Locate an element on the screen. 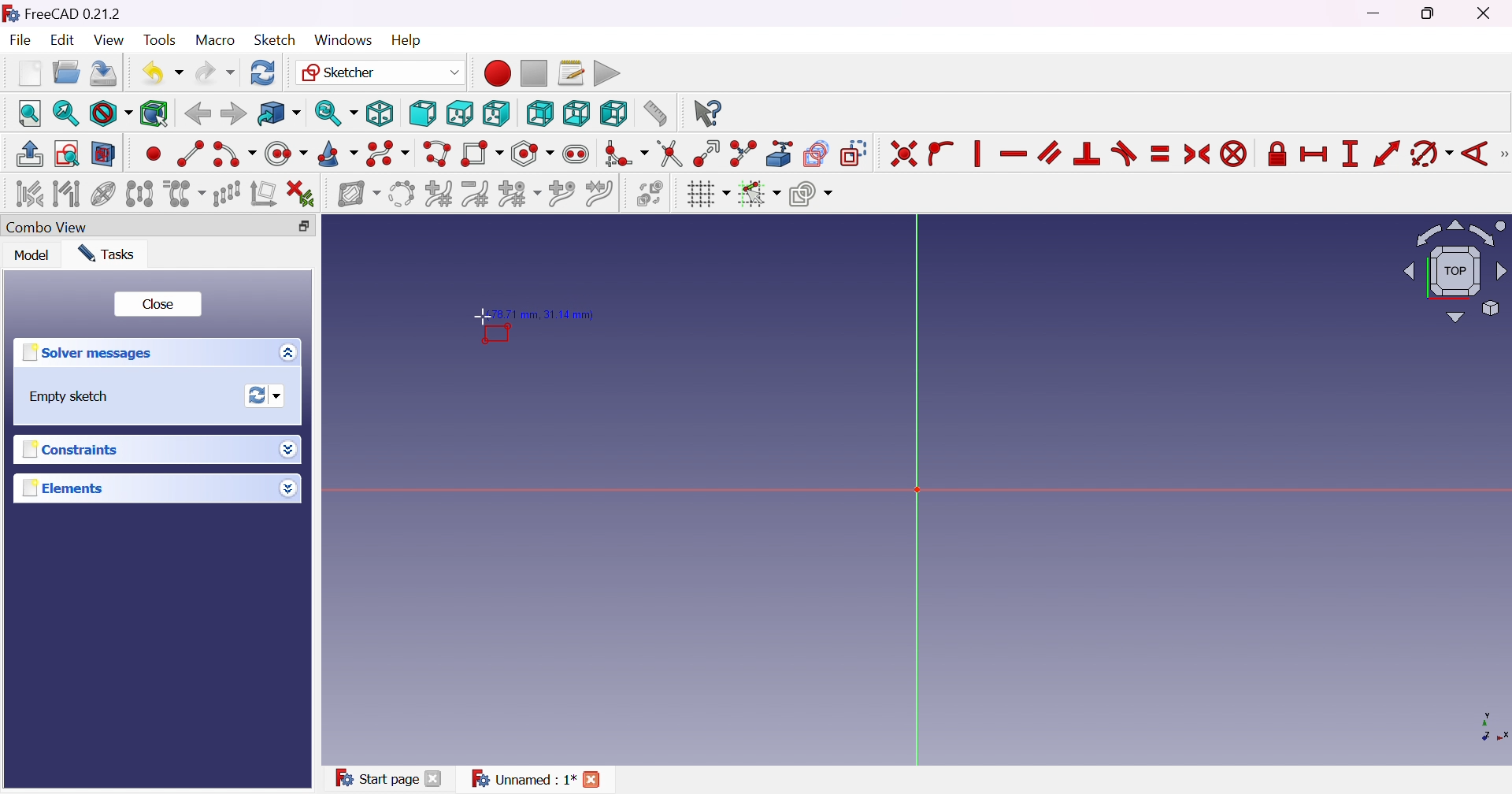 Image resolution: width=1512 pixels, height=794 pixels. More options is located at coordinates (292, 352).